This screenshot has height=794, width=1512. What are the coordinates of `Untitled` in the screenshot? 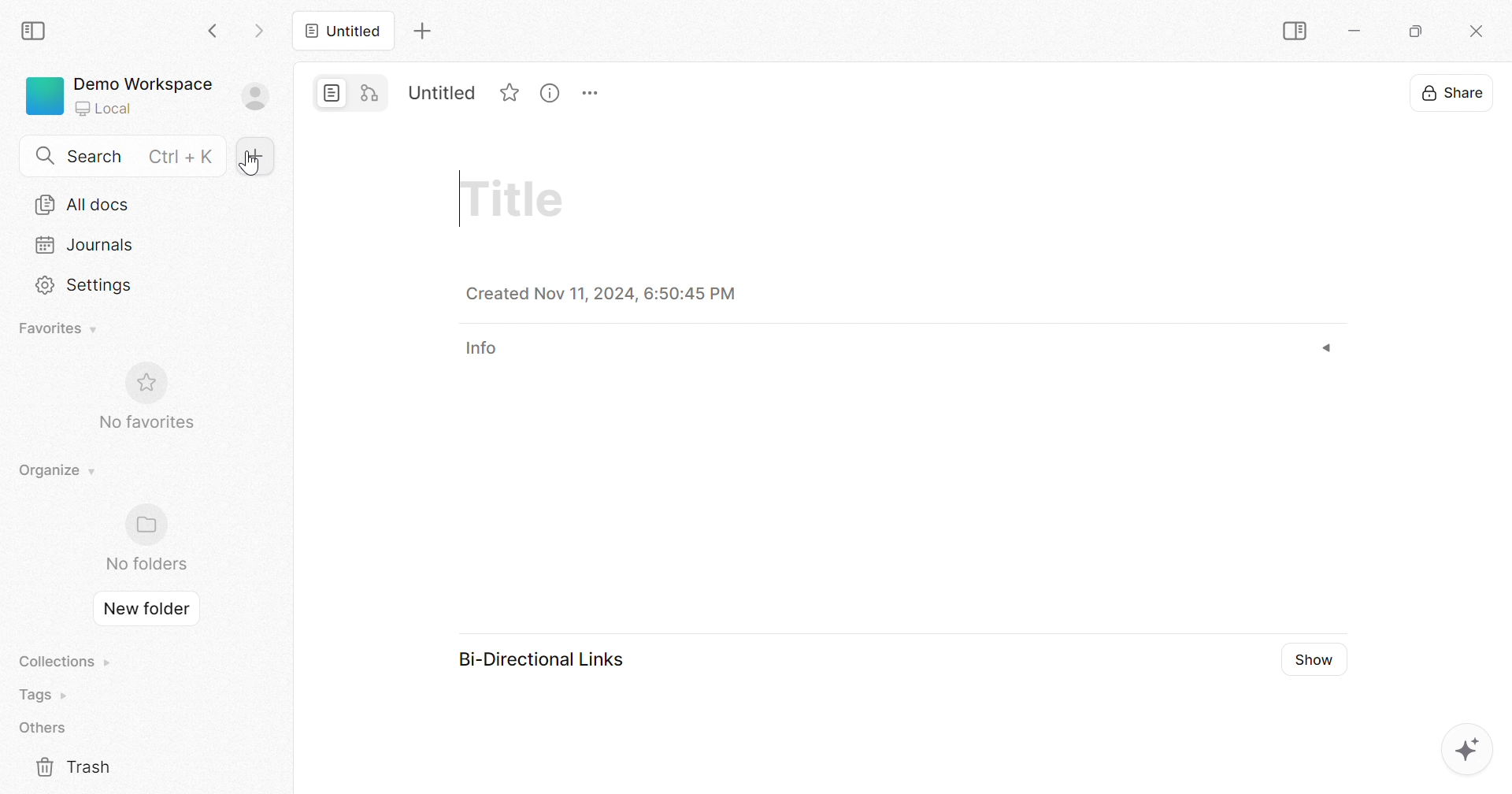 It's located at (441, 94).